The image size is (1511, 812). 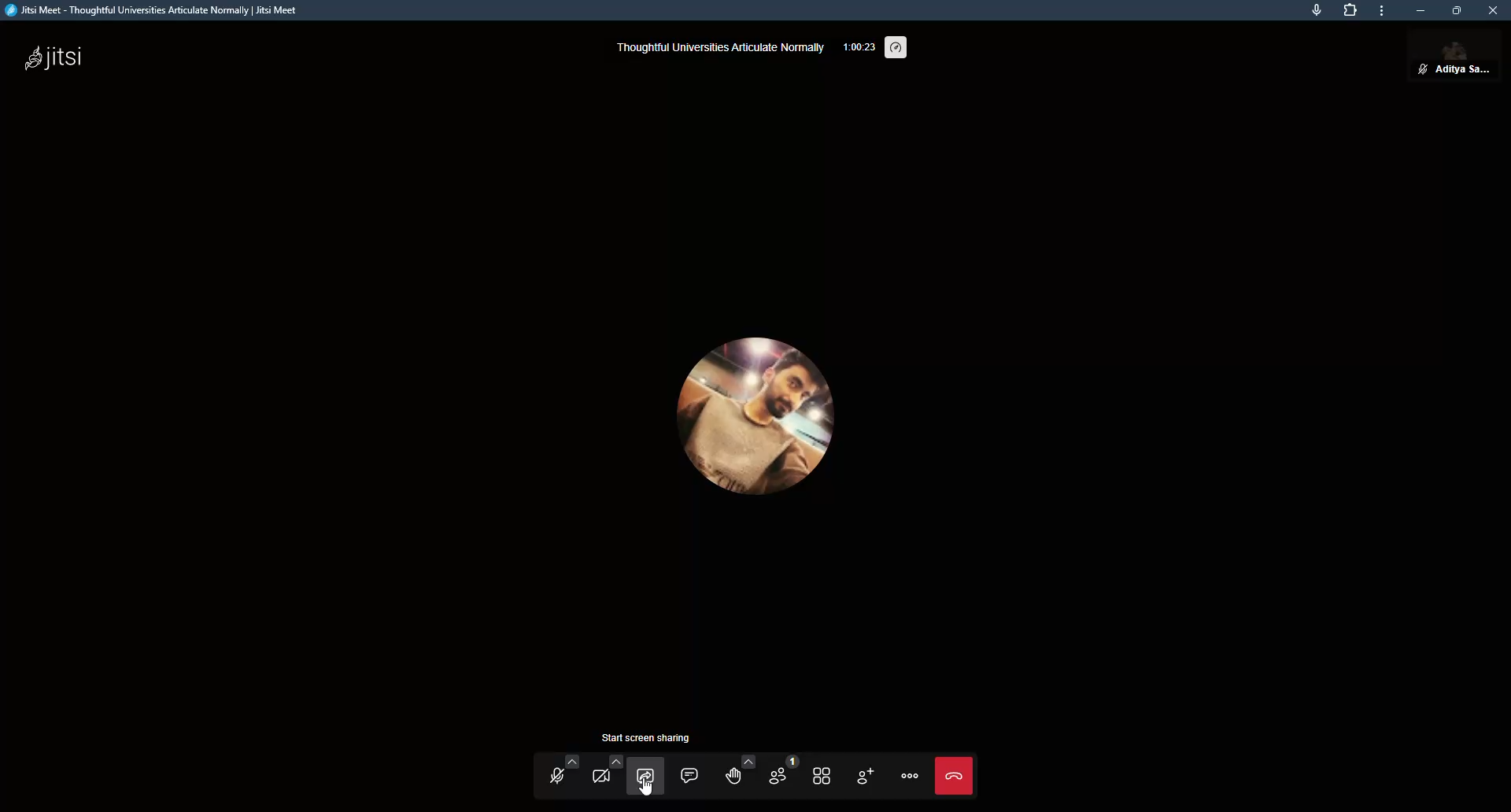 What do you see at coordinates (719, 46) in the screenshot?
I see `thoughtful universities articulate normally` at bounding box center [719, 46].